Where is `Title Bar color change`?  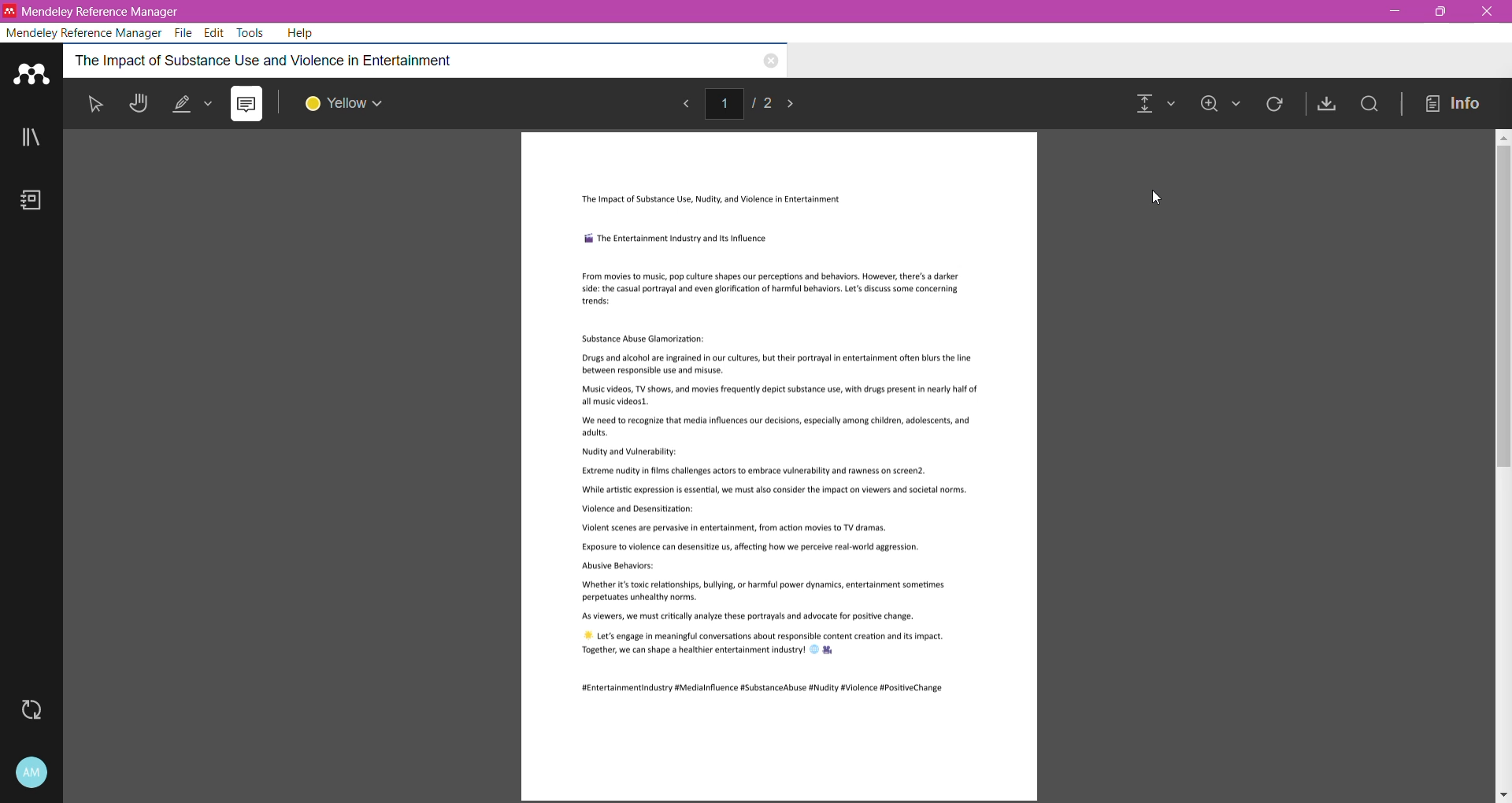
Title Bar color change is located at coordinates (843, 12).